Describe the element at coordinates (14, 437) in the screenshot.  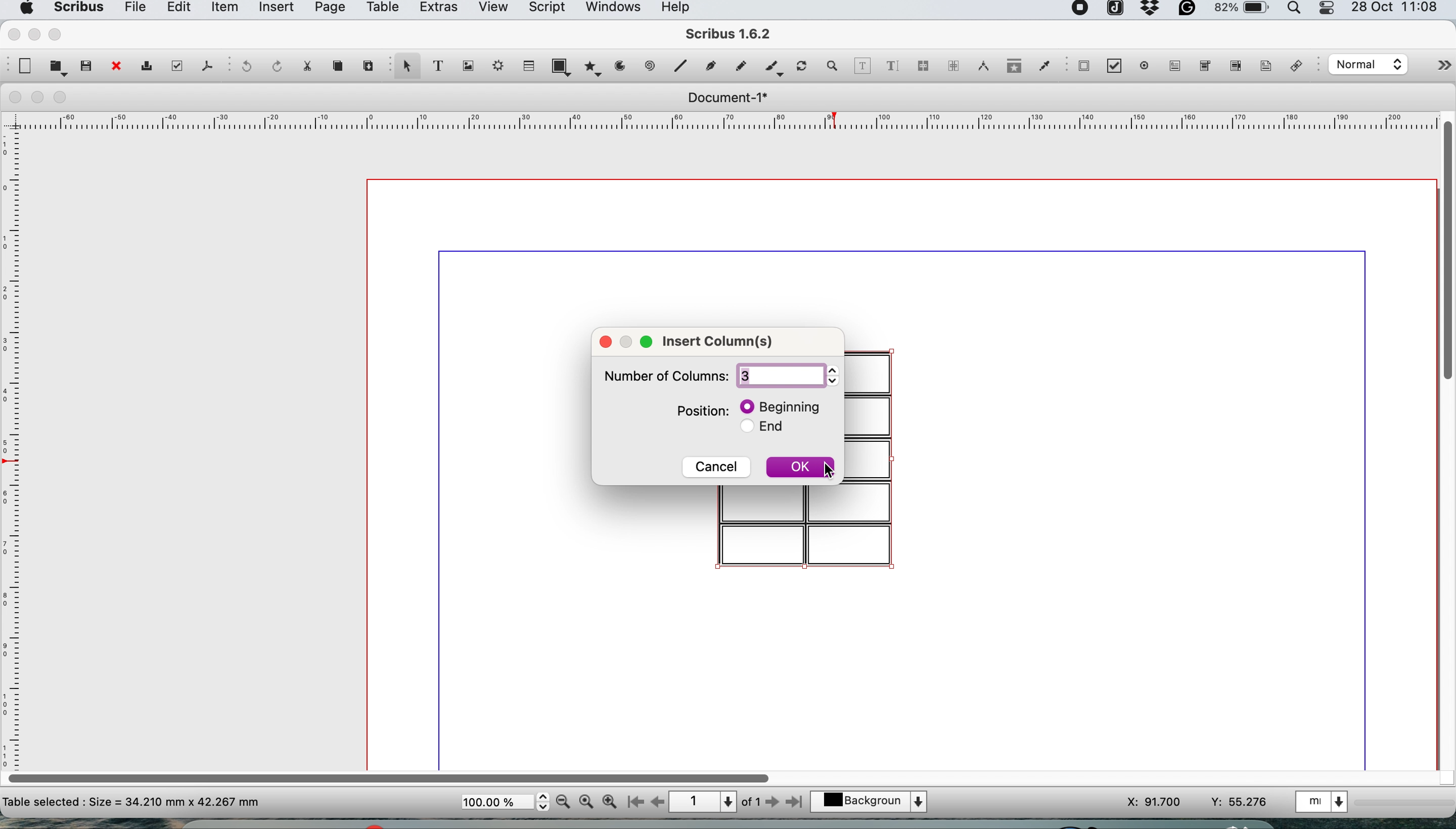
I see `vertical scale` at that location.